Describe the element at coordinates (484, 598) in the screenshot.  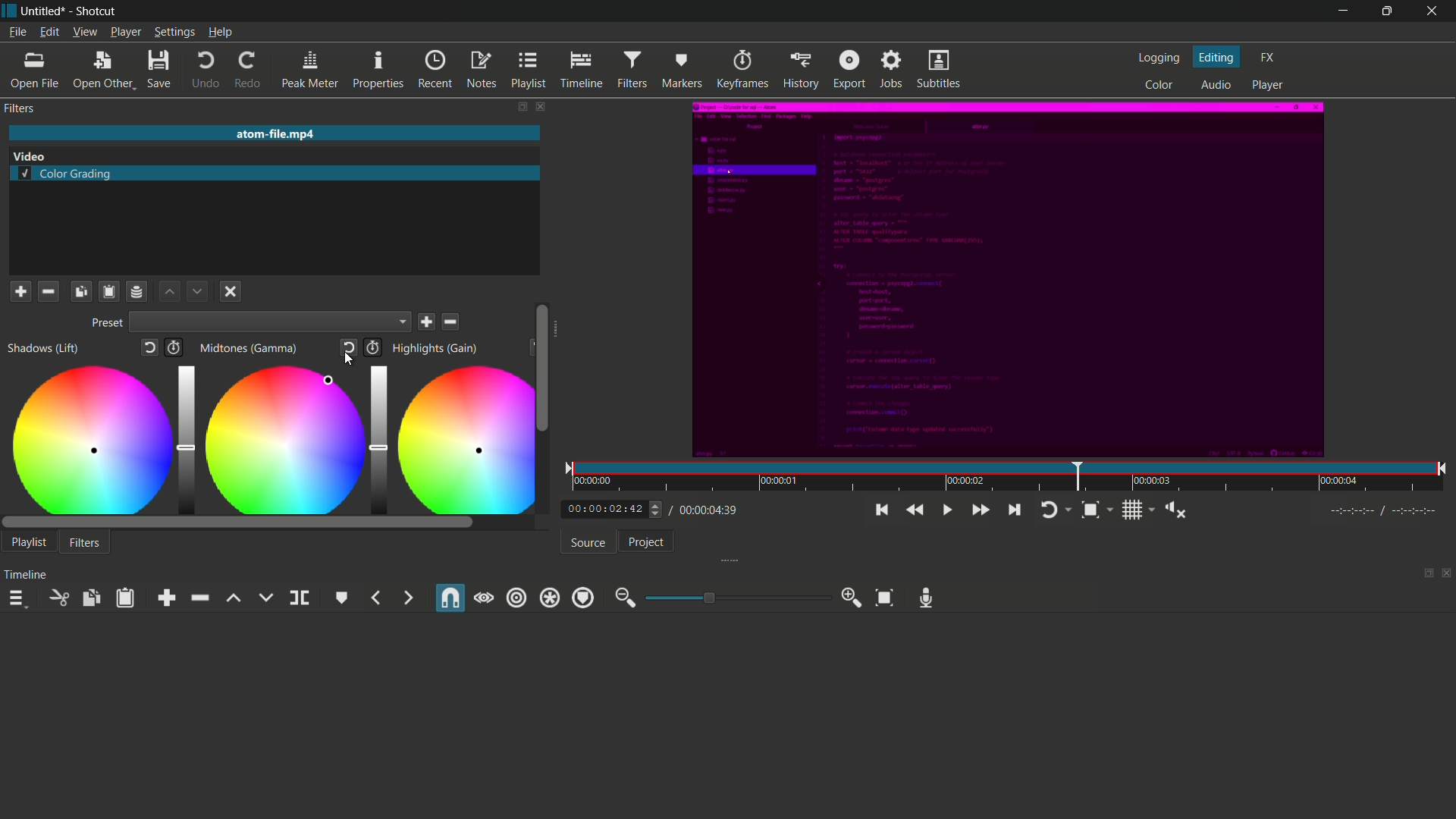
I see `scrub while dragging` at that location.